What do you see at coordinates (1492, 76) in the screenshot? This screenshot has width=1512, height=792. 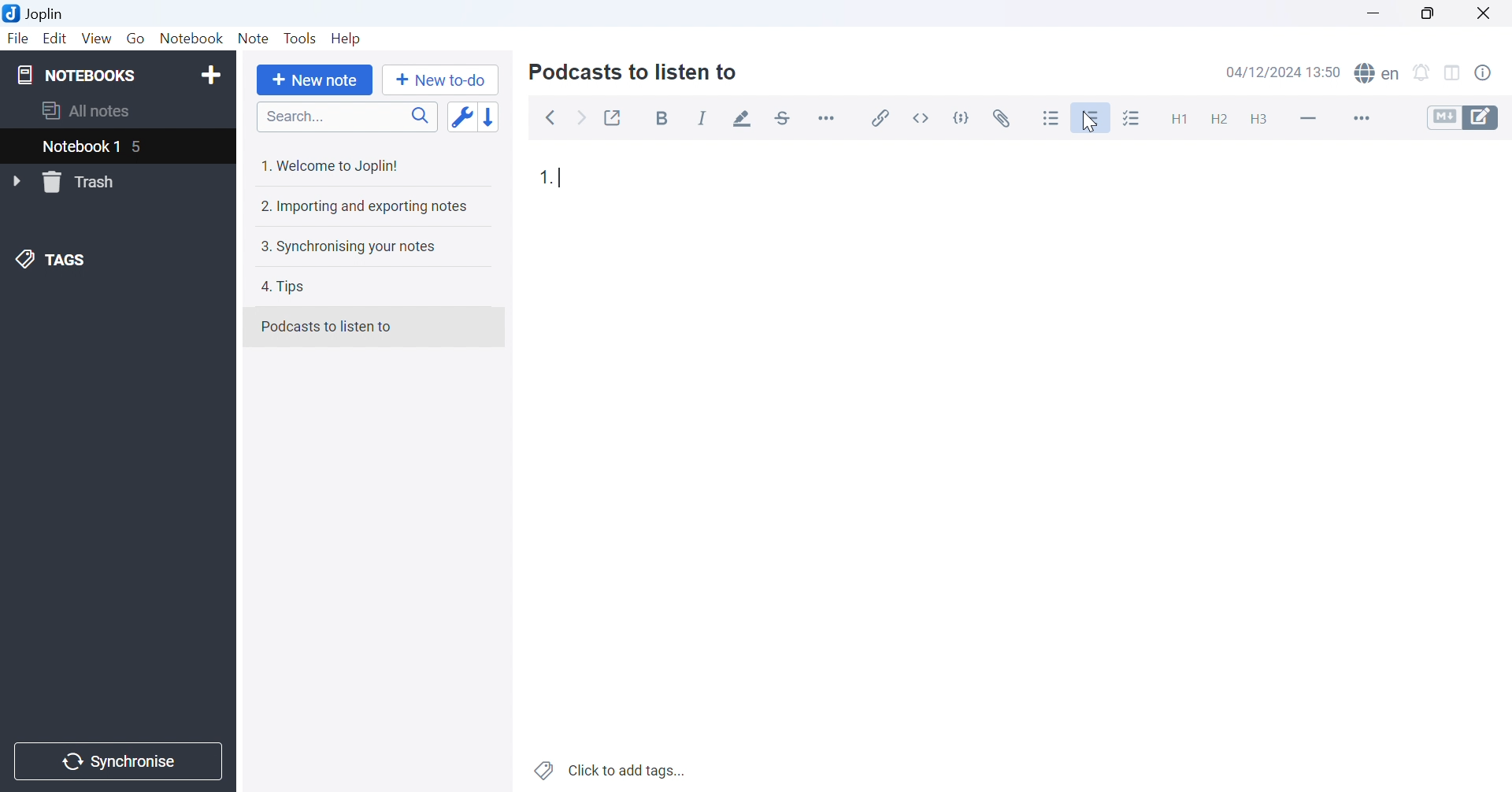 I see `Note properties` at bounding box center [1492, 76].